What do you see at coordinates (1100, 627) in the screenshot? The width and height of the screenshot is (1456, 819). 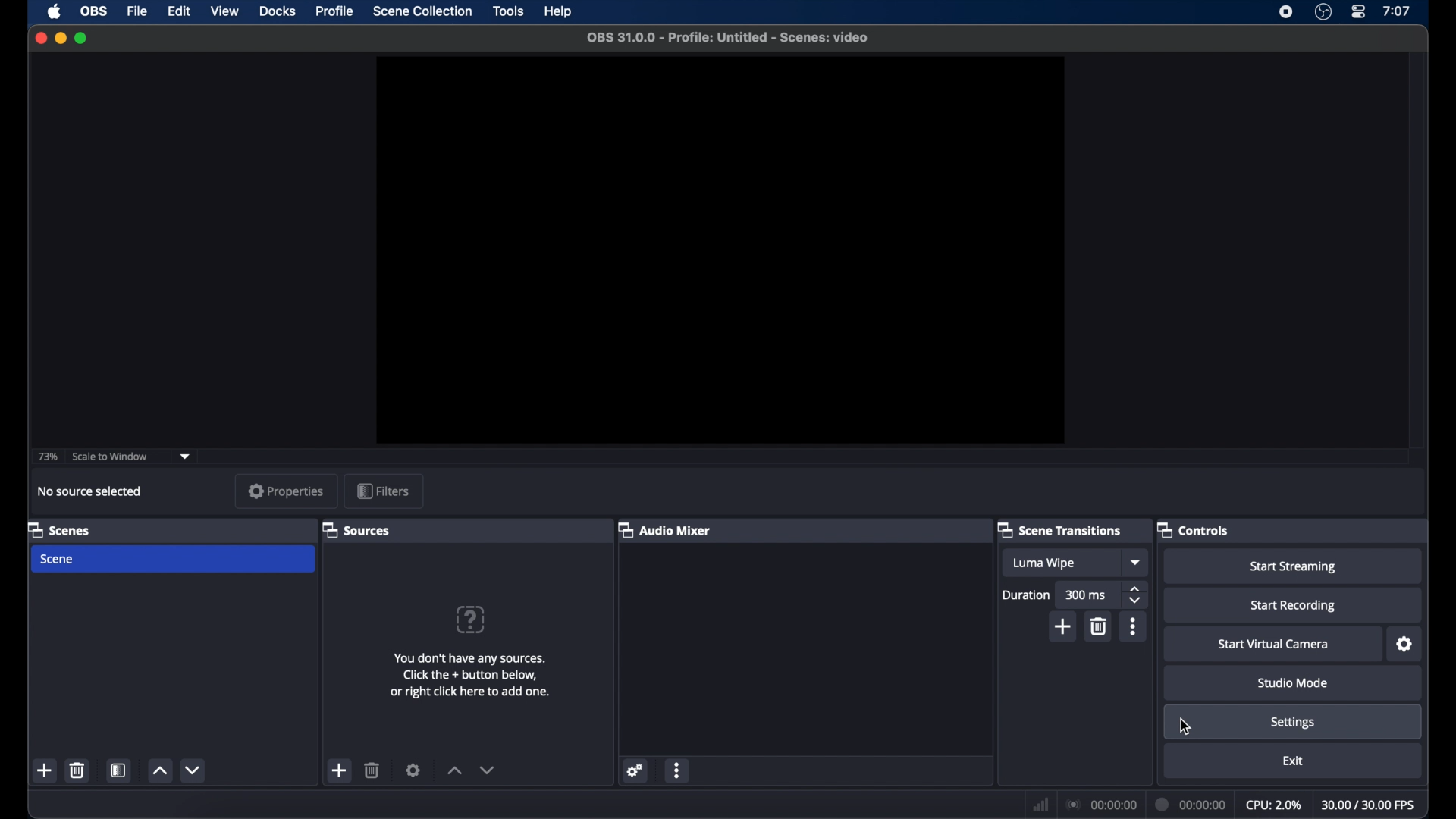 I see `delete` at bounding box center [1100, 627].